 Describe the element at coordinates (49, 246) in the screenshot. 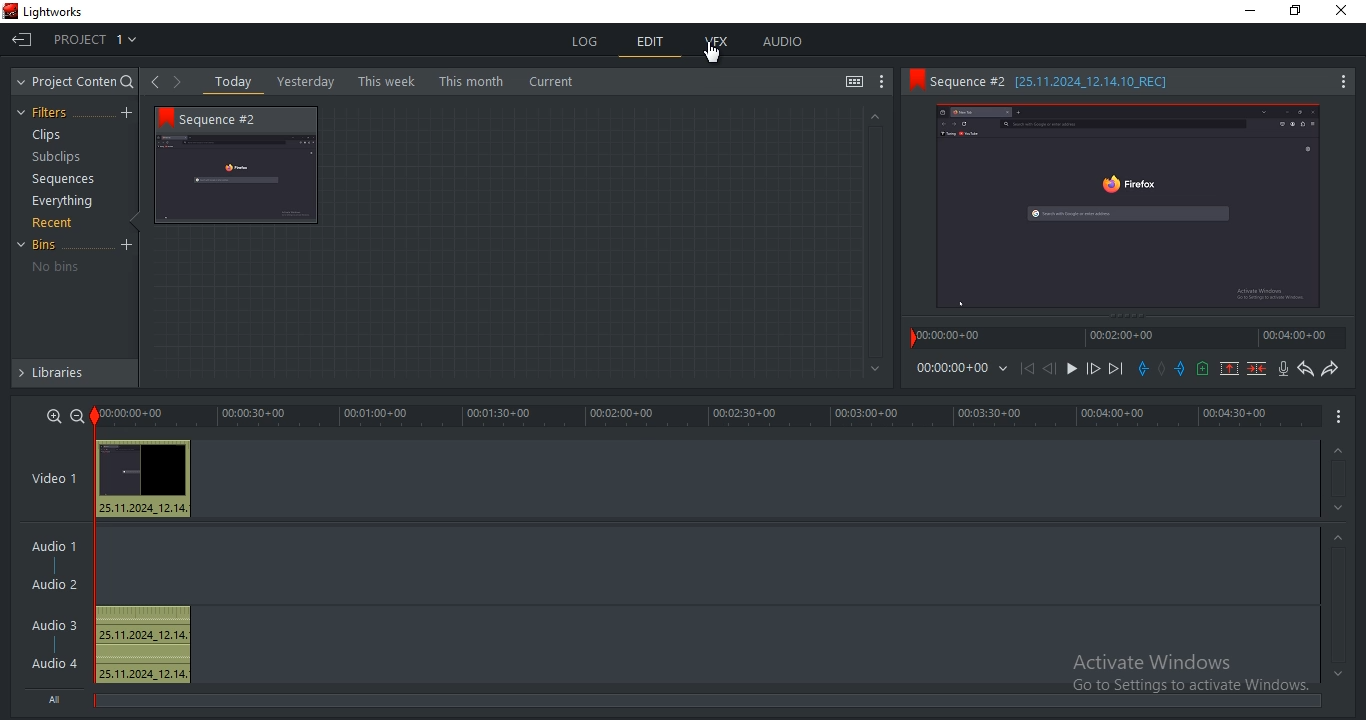

I see `bins` at that location.